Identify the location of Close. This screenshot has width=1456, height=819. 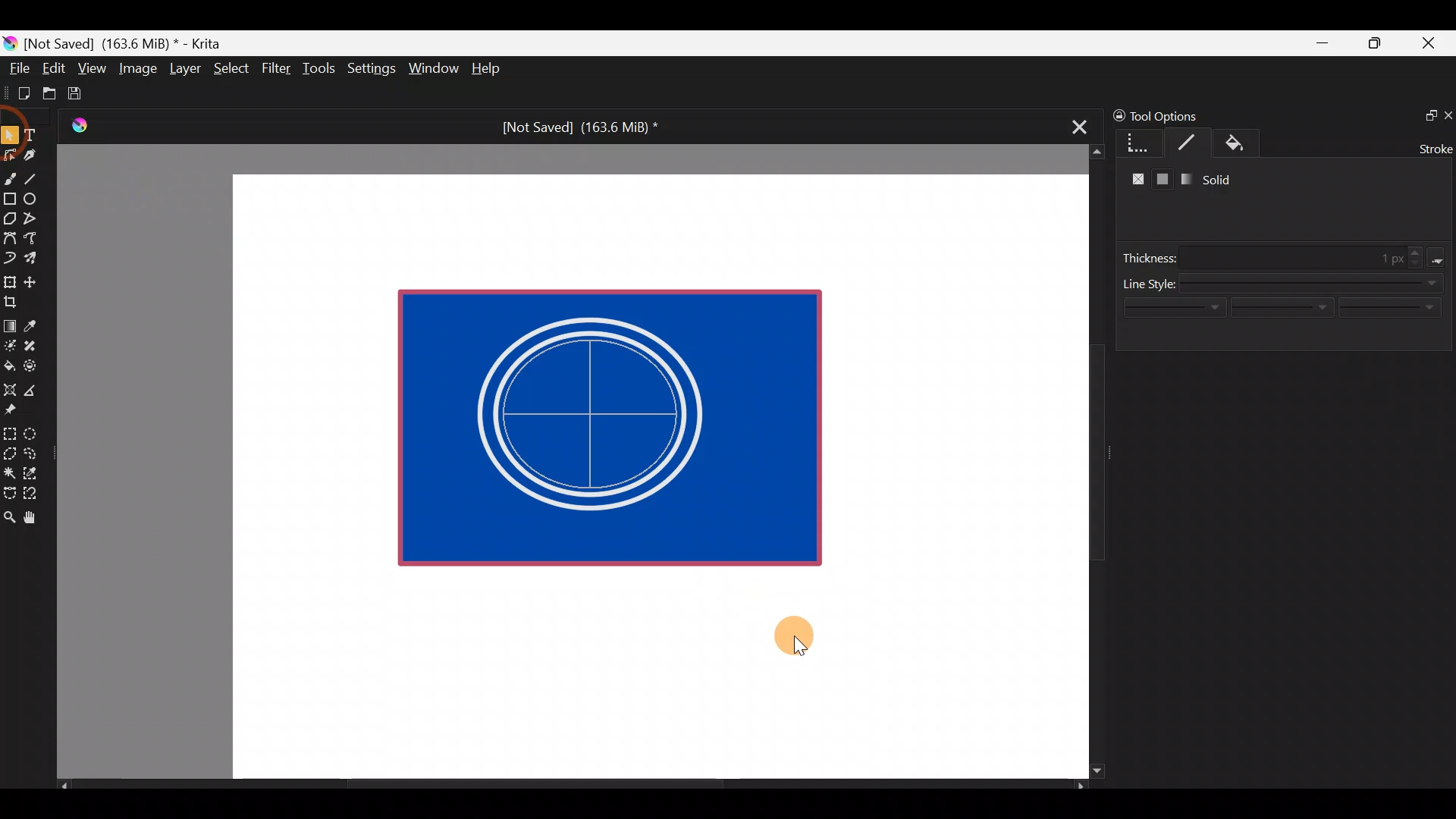
(1429, 46).